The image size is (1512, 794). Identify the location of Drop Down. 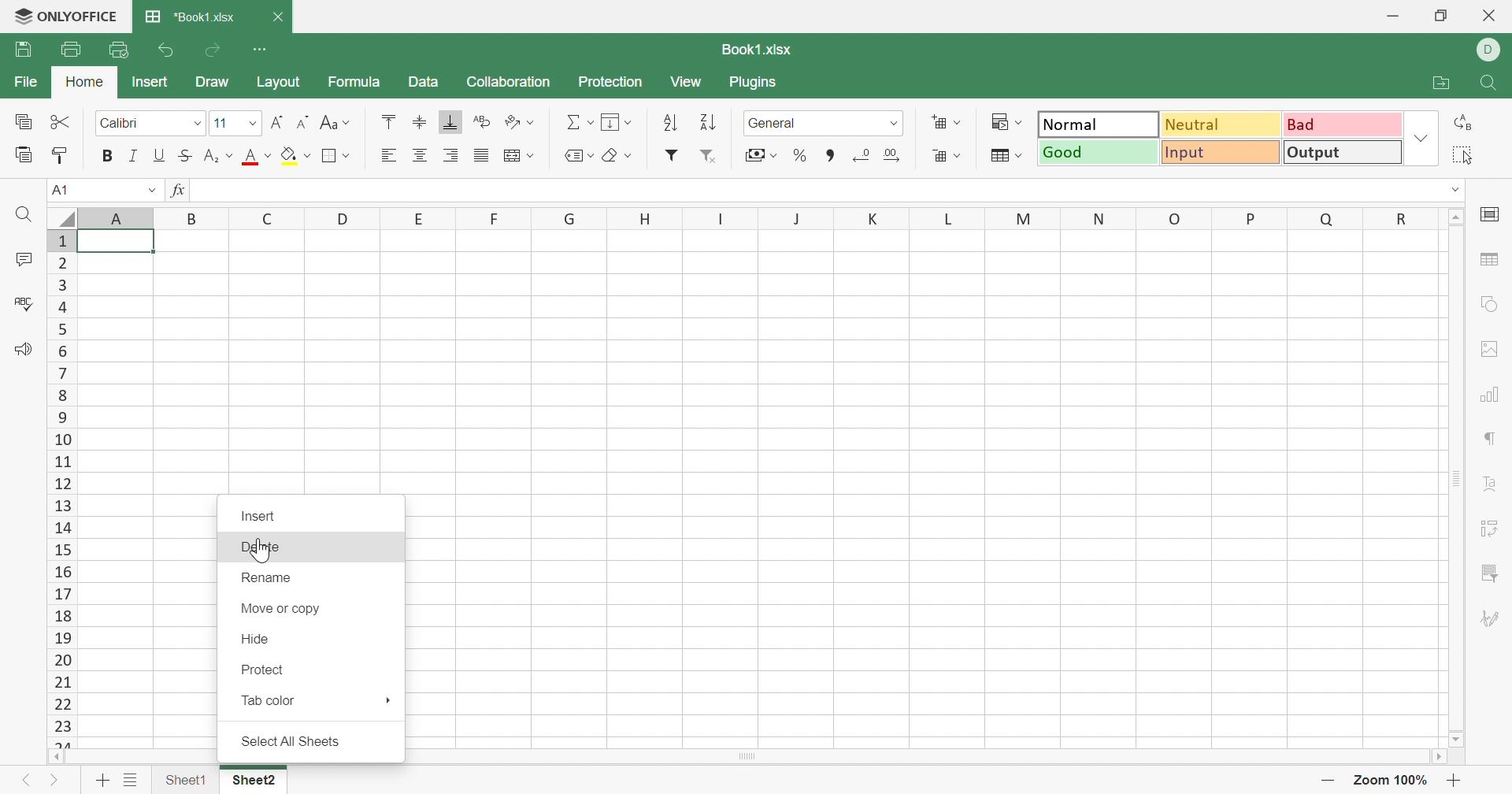
(631, 122).